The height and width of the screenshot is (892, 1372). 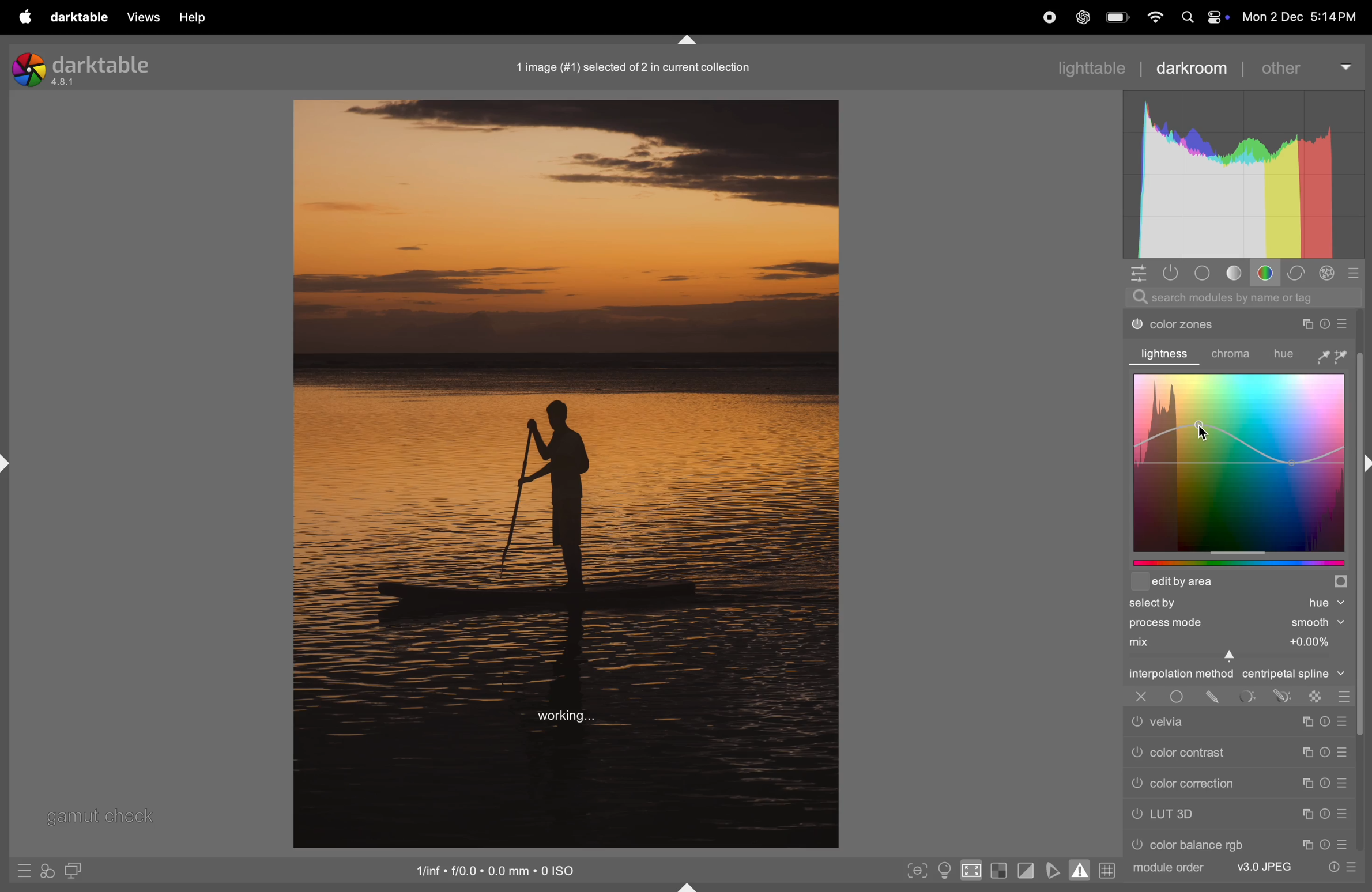 What do you see at coordinates (1272, 17) in the screenshot?
I see `Mon 2 Dec` at bounding box center [1272, 17].